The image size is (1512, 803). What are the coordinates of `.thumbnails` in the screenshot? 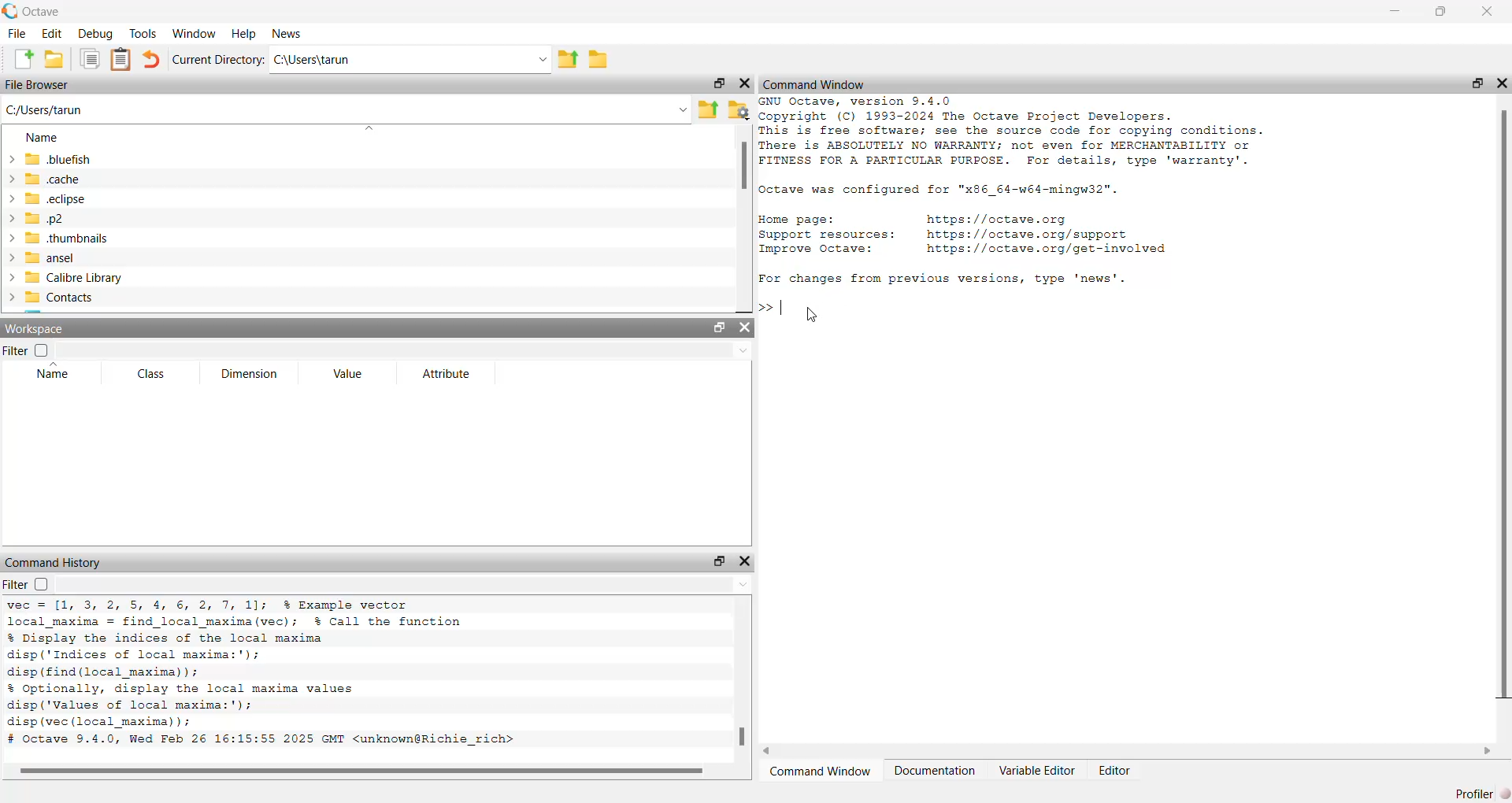 It's located at (72, 239).